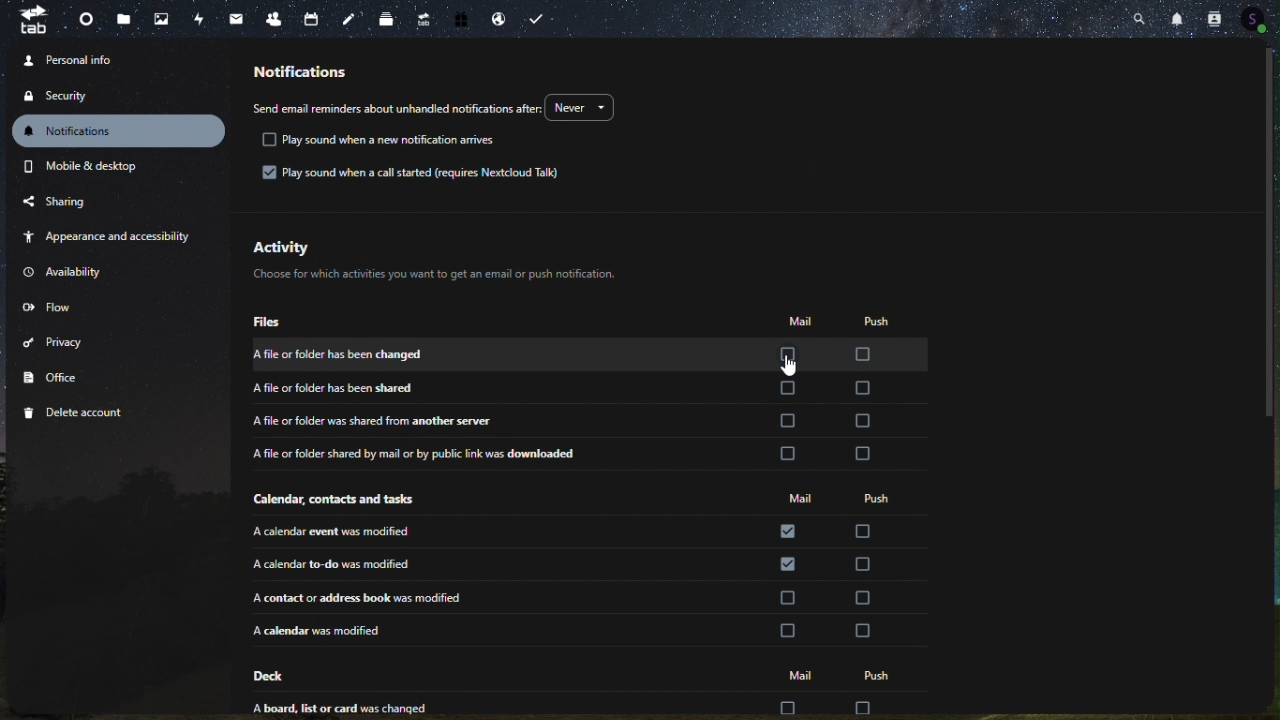 This screenshot has width=1280, height=720. What do you see at coordinates (351, 17) in the screenshot?
I see `note` at bounding box center [351, 17].